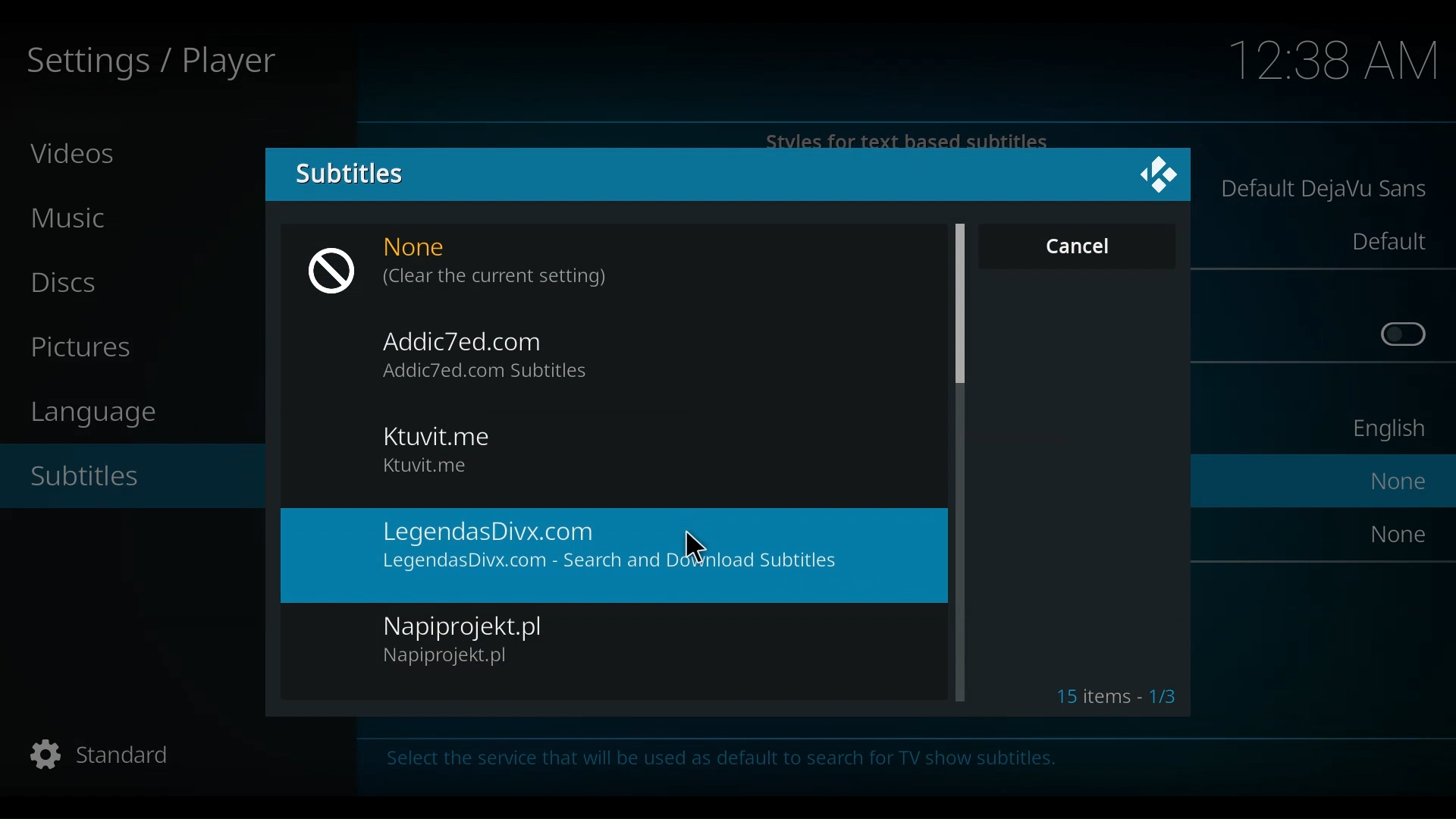 The height and width of the screenshot is (819, 1456). I want to click on Settings/player, so click(149, 63).